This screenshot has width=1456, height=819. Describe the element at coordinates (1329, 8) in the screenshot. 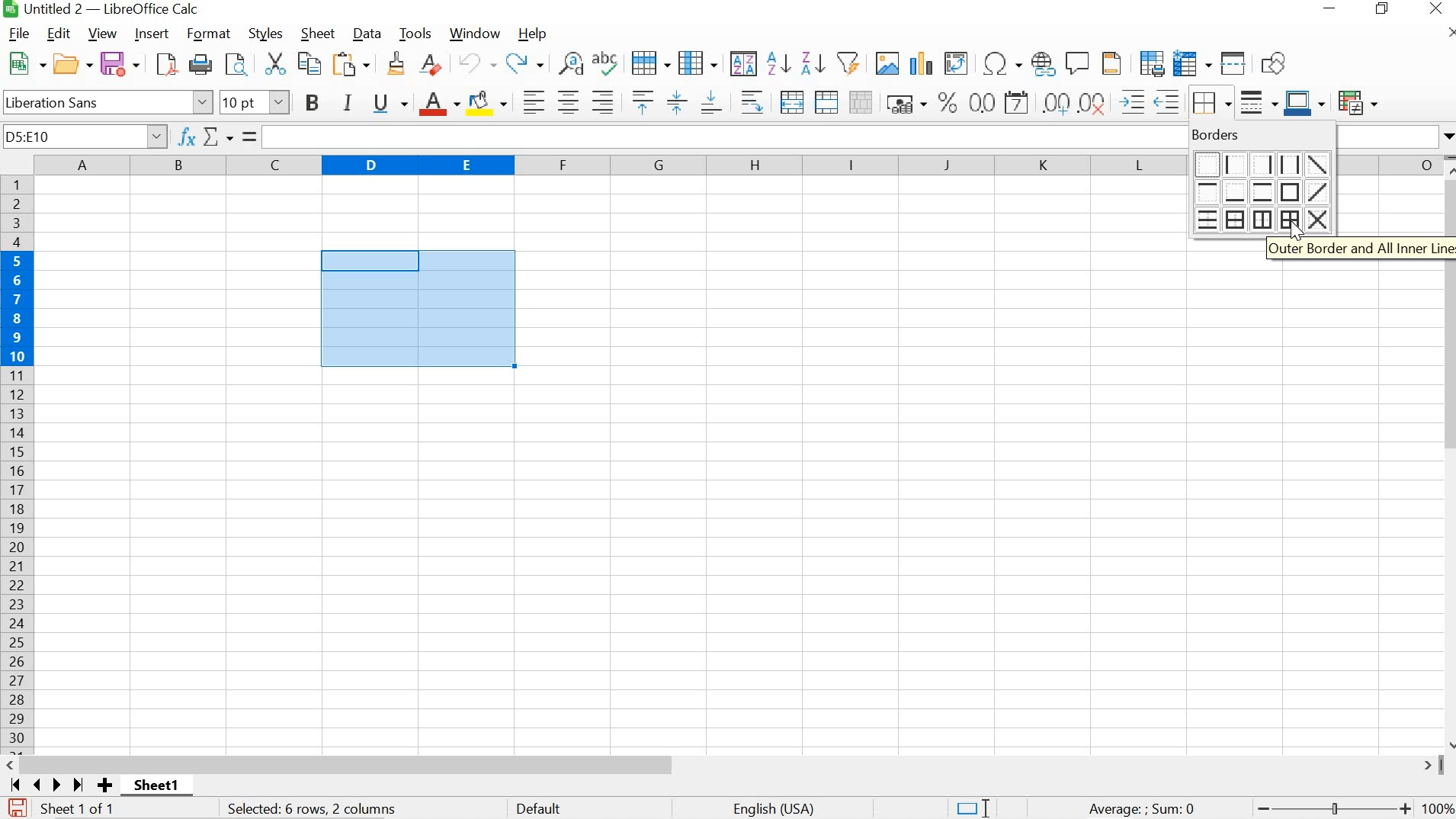

I see `MINIMIZE` at that location.